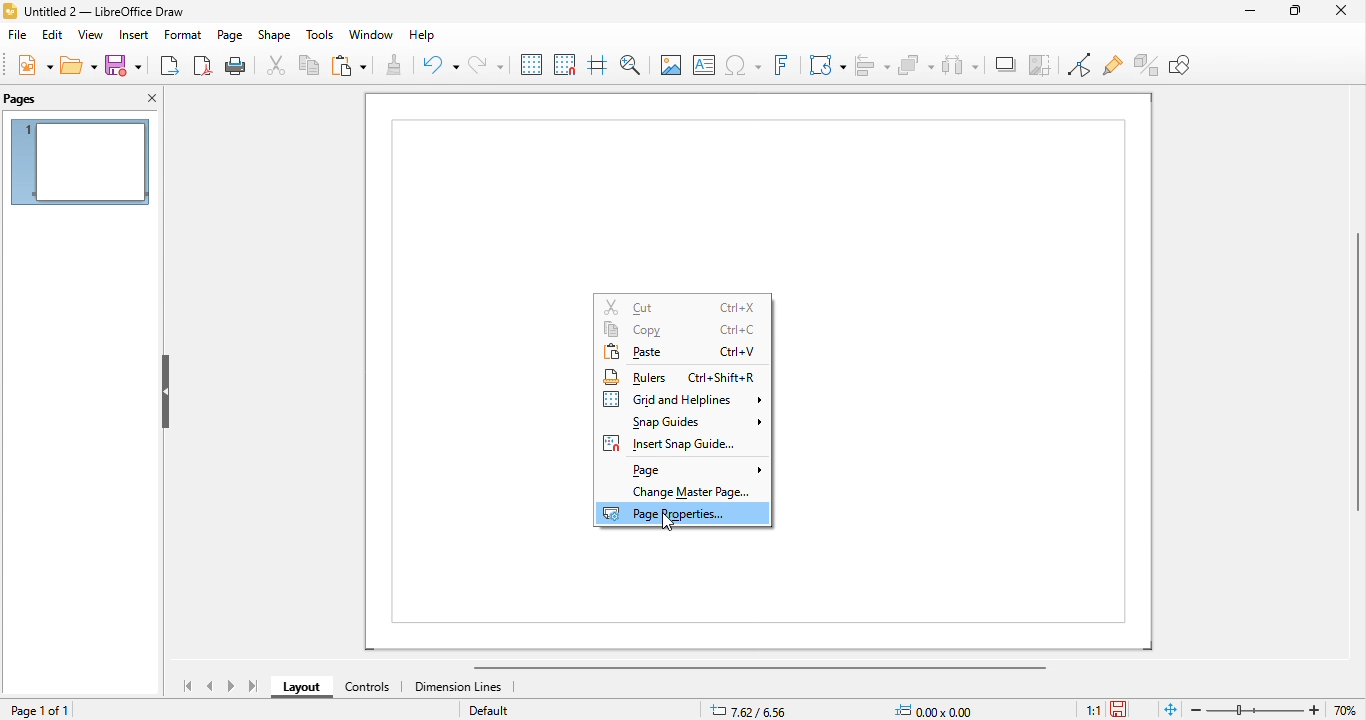  Describe the element at coordinates (529, 62) in the screenshot. I see `display grid` at that location.